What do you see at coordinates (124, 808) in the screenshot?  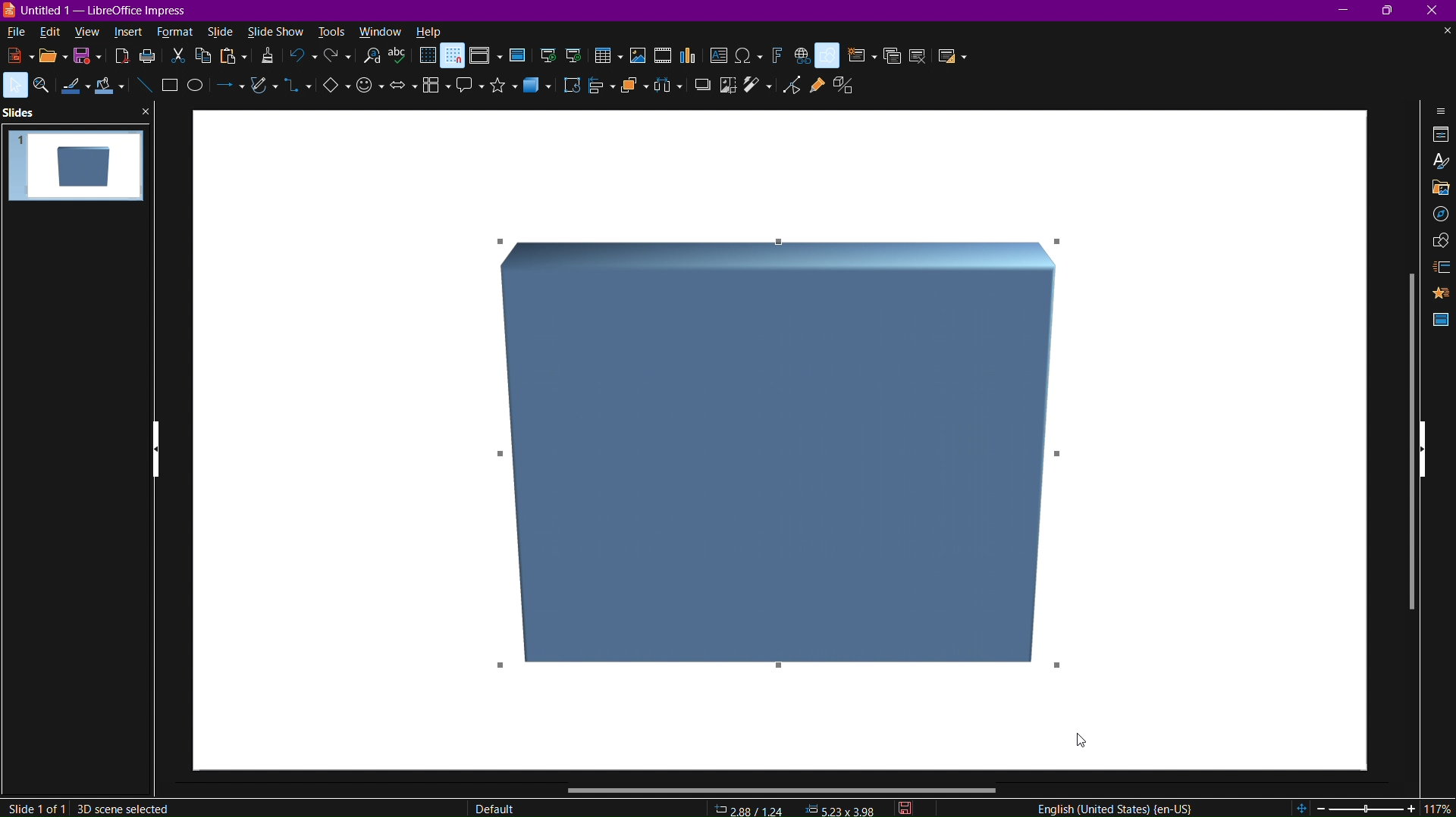 I see `3D scene selected` at bounding box center [124, 808].